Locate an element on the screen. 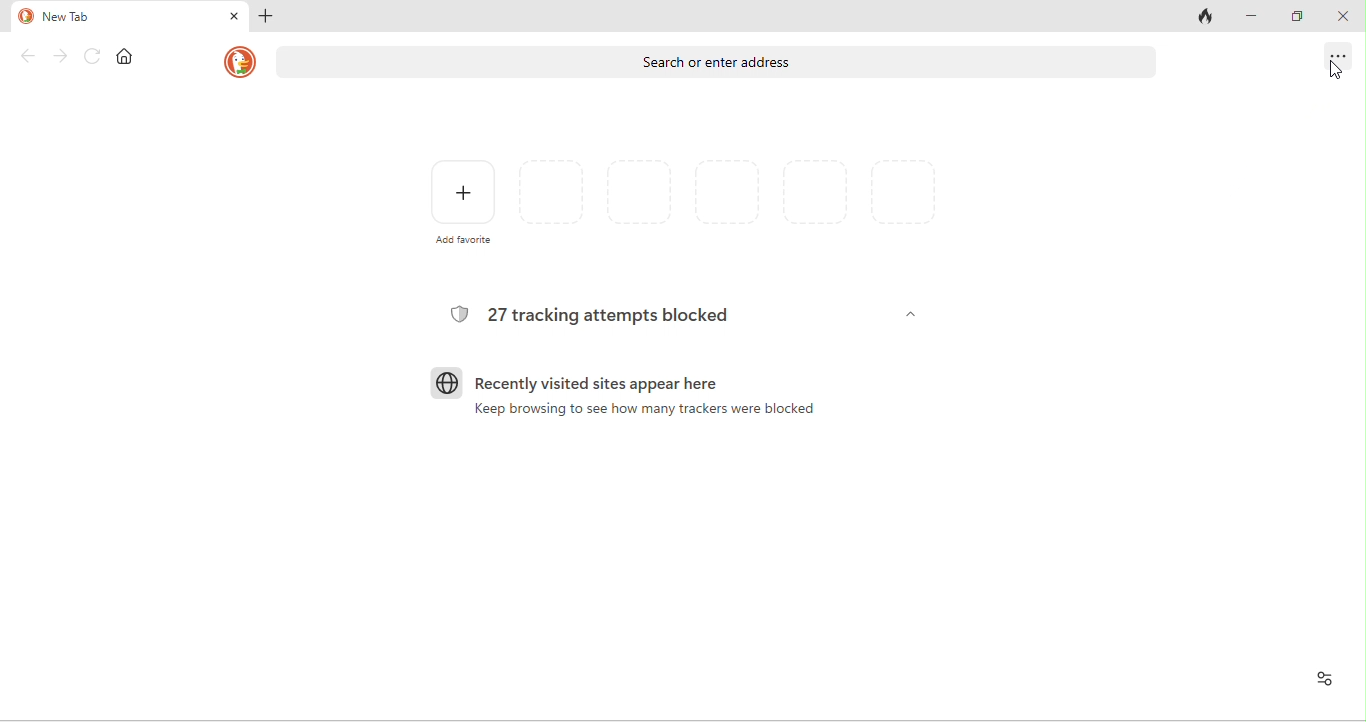  duck duck go is located at coordinates (24, 17).